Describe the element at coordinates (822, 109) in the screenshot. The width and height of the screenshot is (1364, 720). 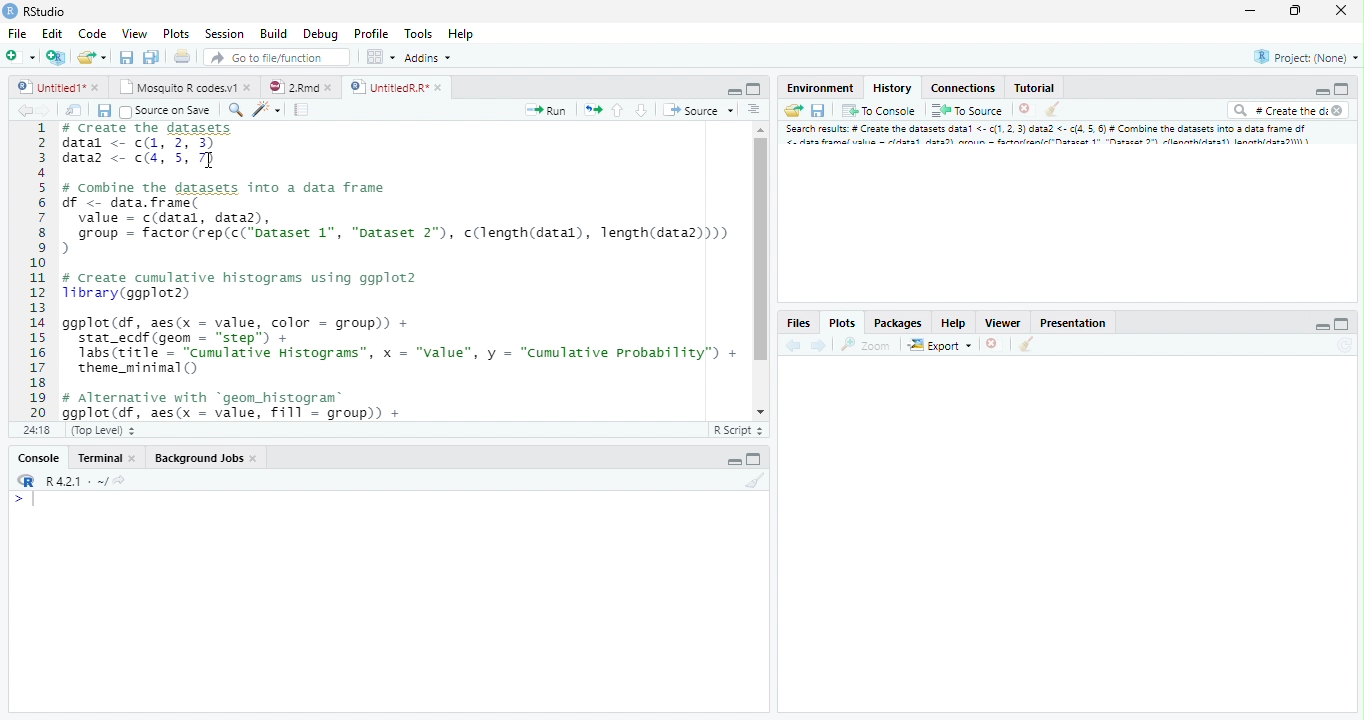
I see `Save` at that location.